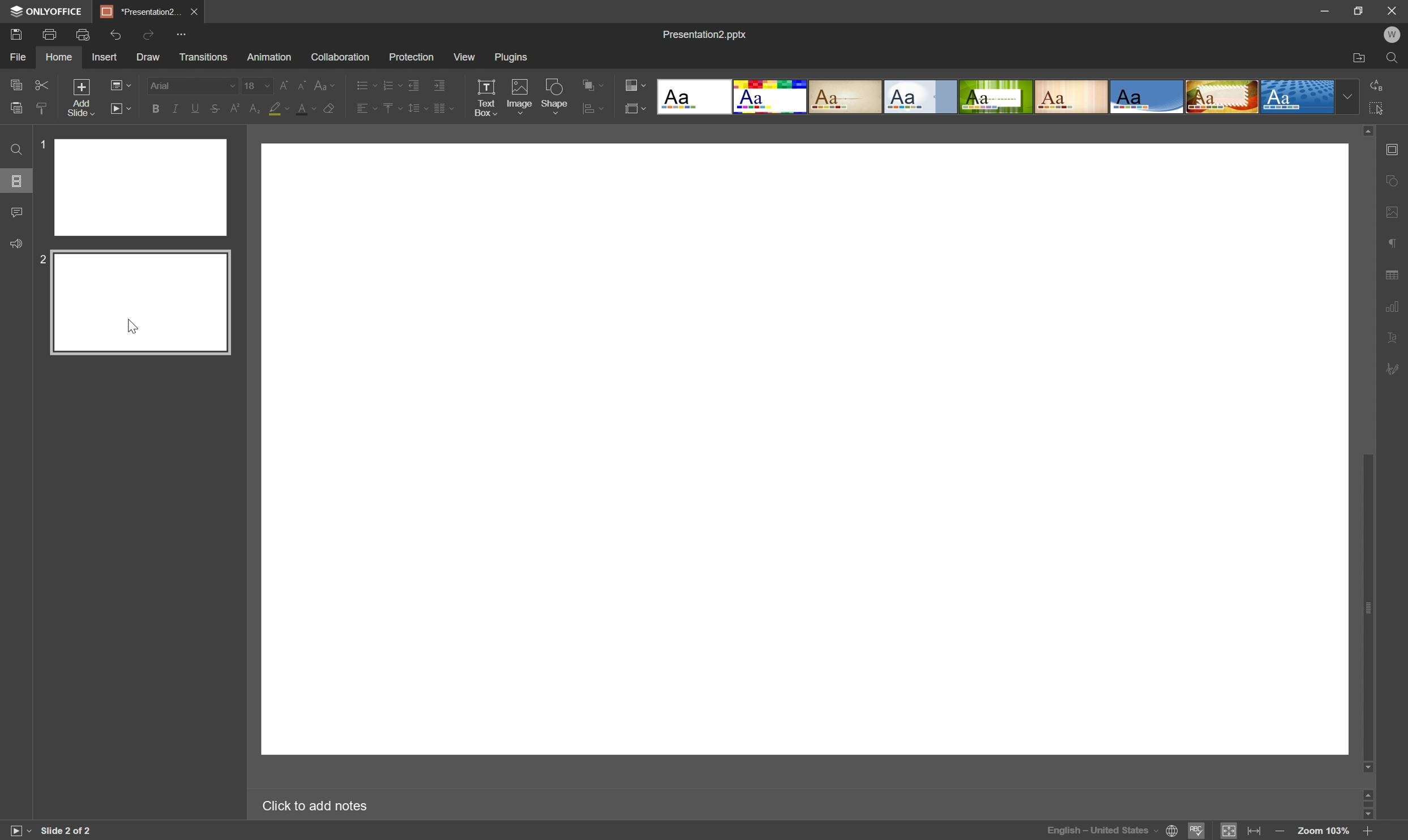 The width and height of the screenshot is (1408, 840). Describe the element at coordinates (1230, 830) in the screenshot. I see `Fit to slide` at that location.